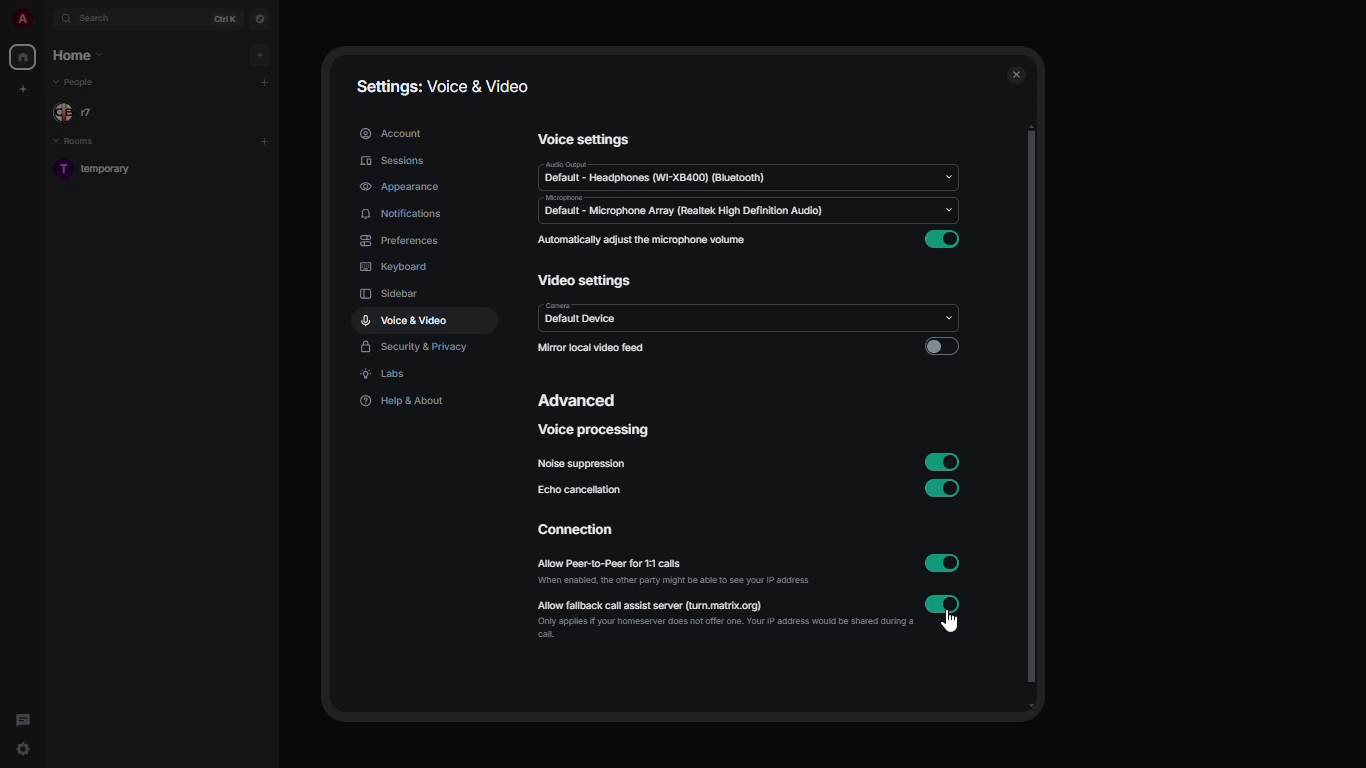 The image size is (1366, 768). What do you see at coordinates (103, 18) in the screenshot?
I see `search` at bounding box center [103, 18].